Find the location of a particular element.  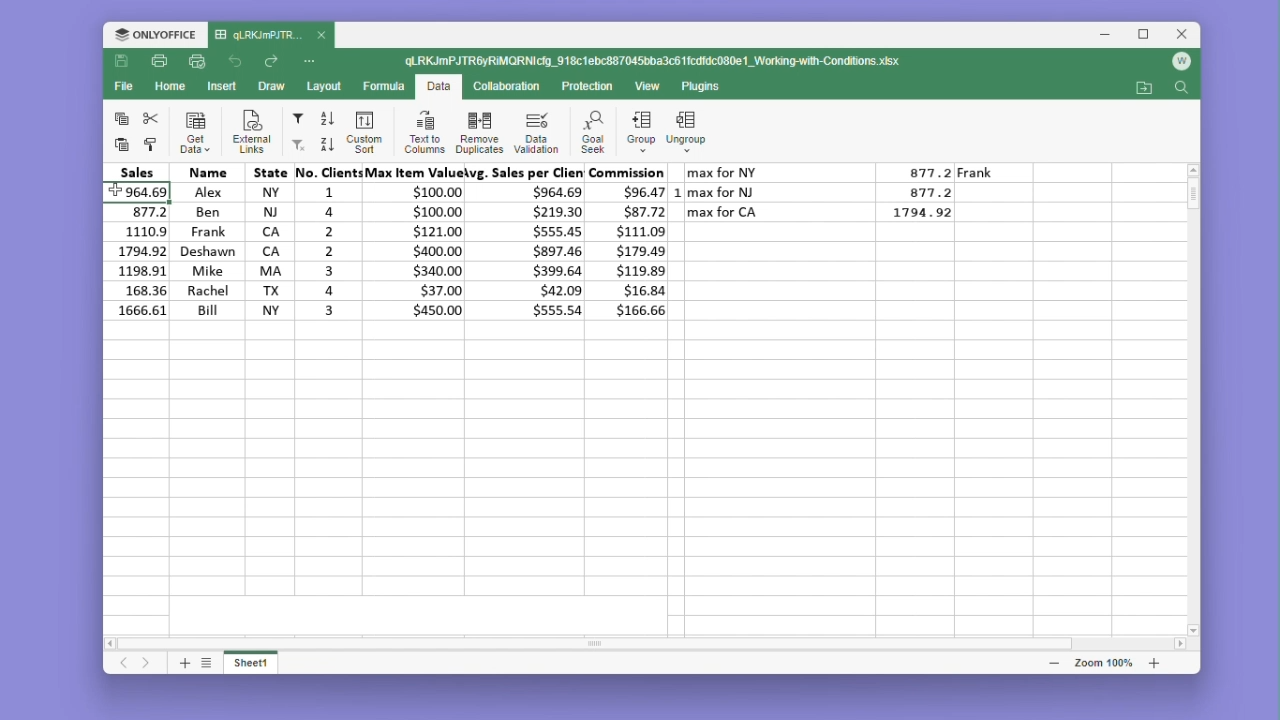

Custom filter is located at coordinates (296, 145).